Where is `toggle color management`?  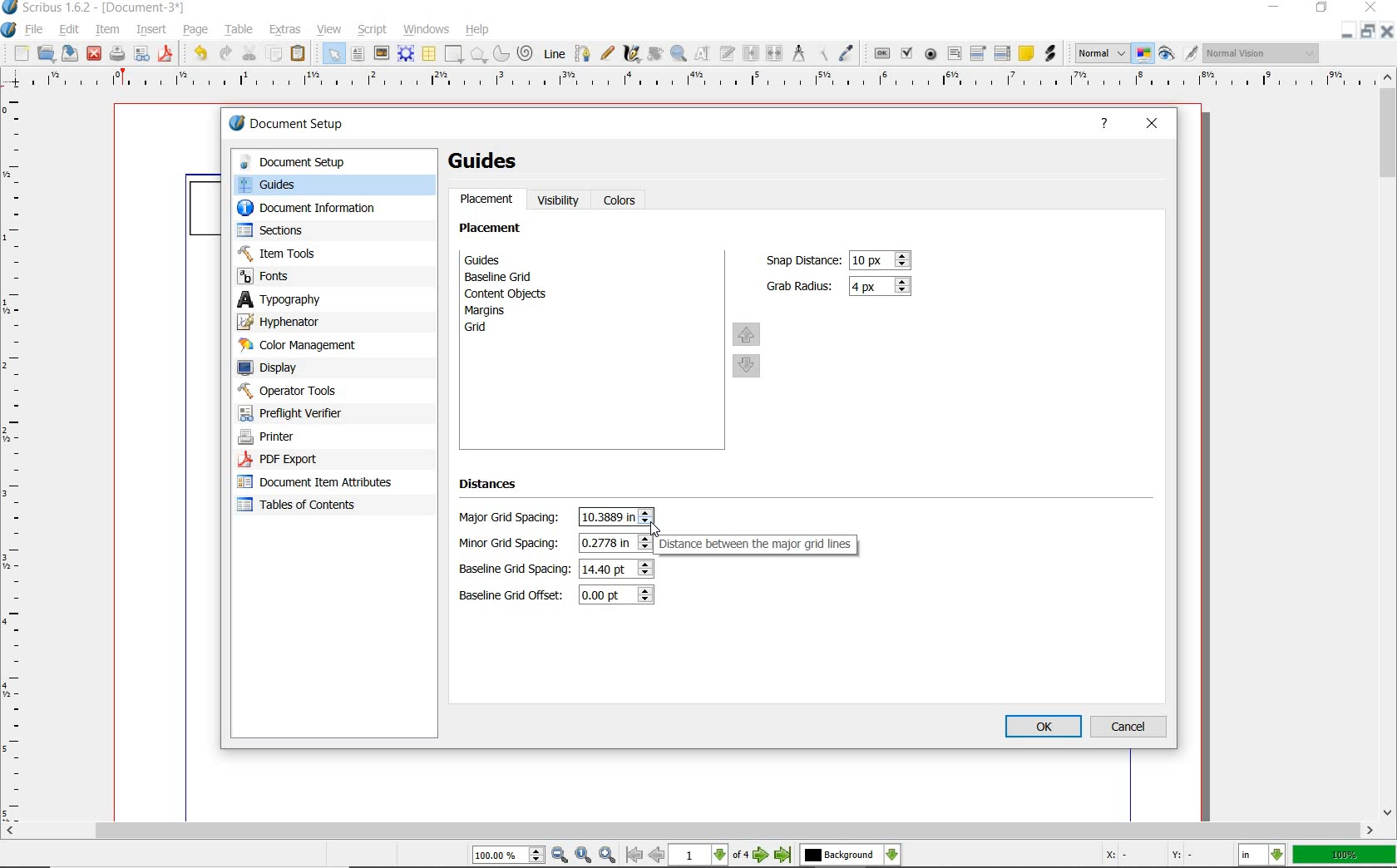 toggle color management is located at coordinates (1143, 54).